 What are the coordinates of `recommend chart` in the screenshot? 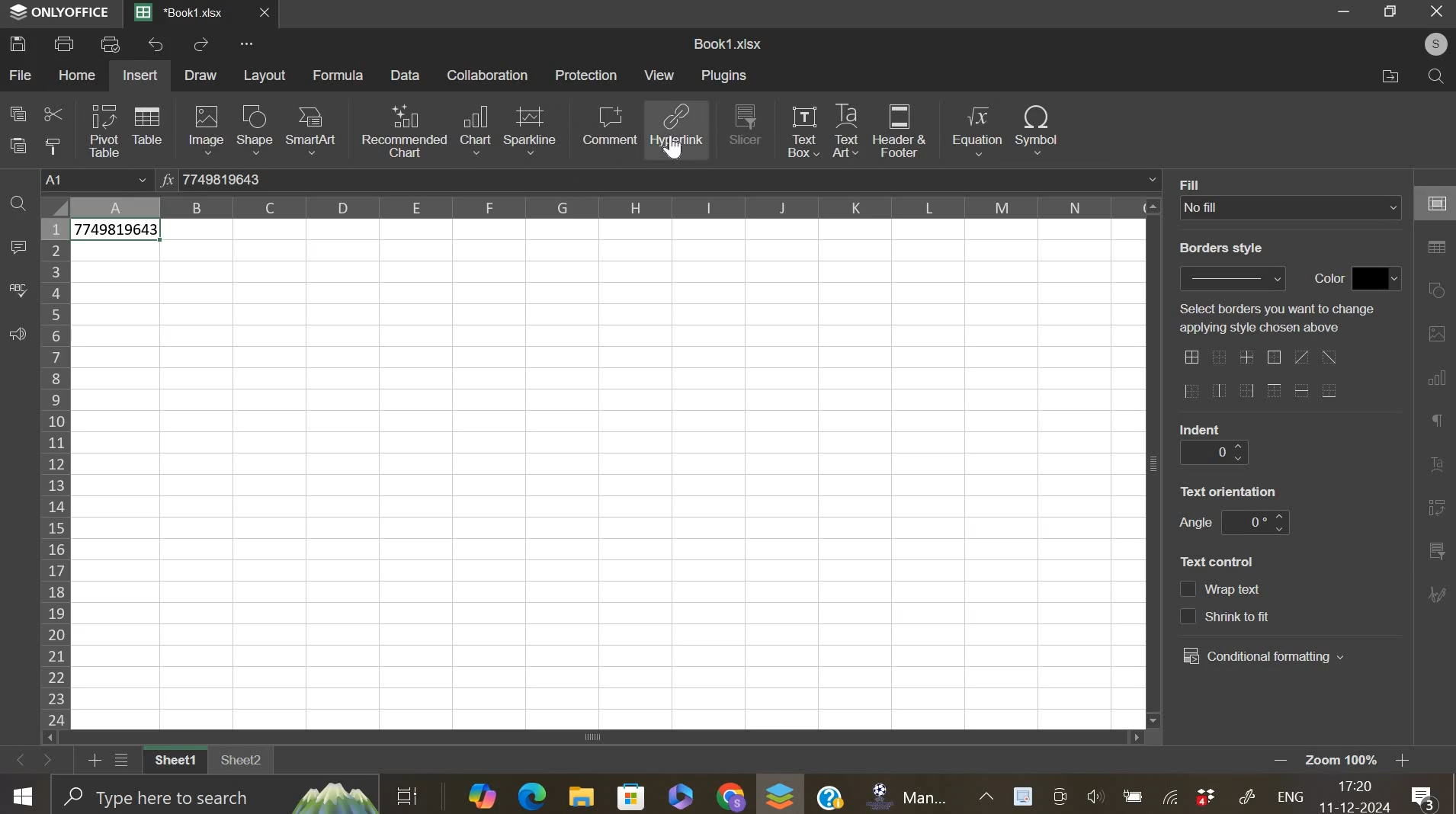 It's located at (405, 130).